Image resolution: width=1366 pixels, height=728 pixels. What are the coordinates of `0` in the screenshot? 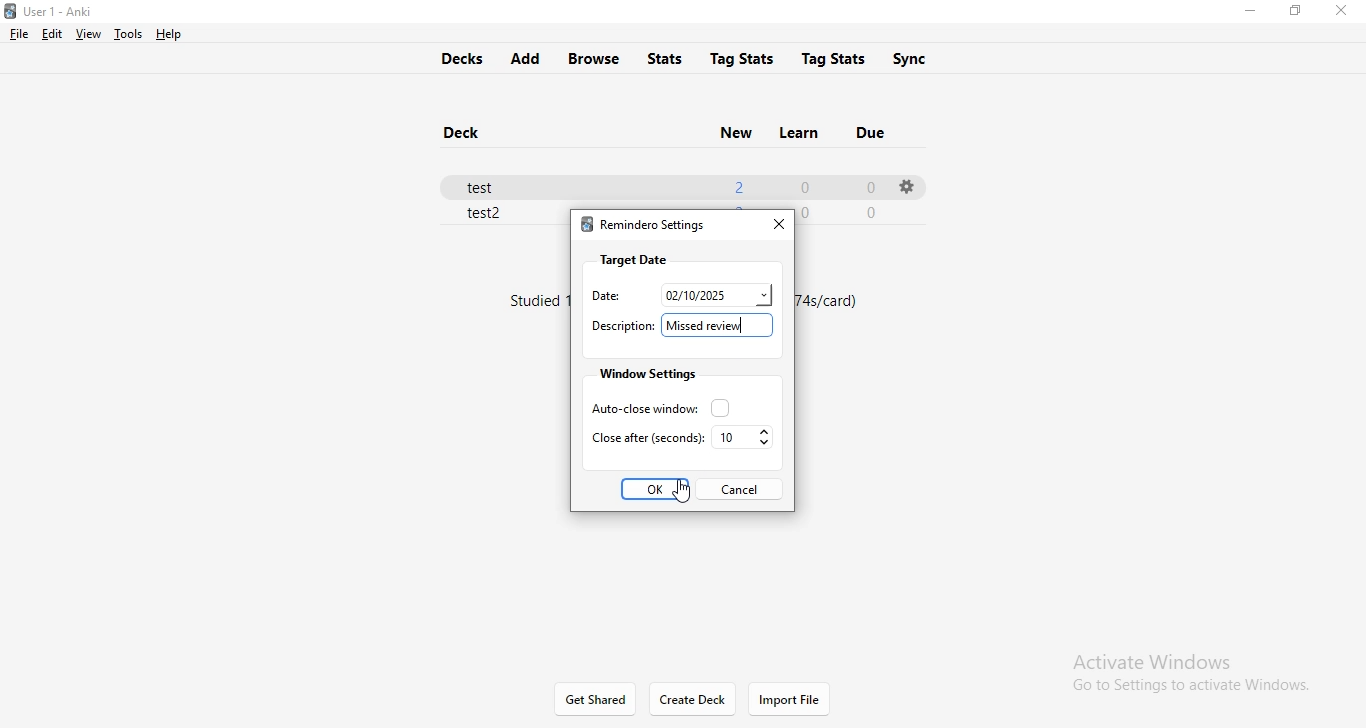 It's located at (804, 185).